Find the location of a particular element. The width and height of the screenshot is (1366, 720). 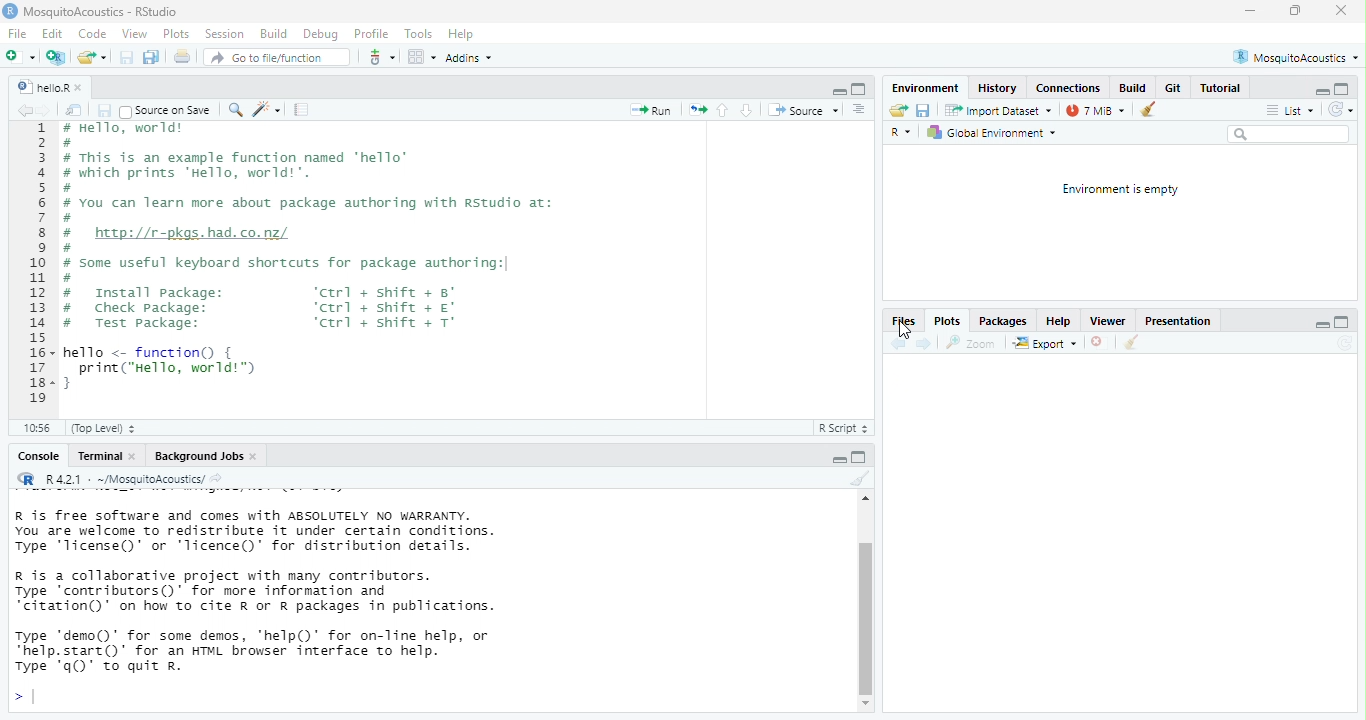

 Packages is located at coordinates (1004, 320).